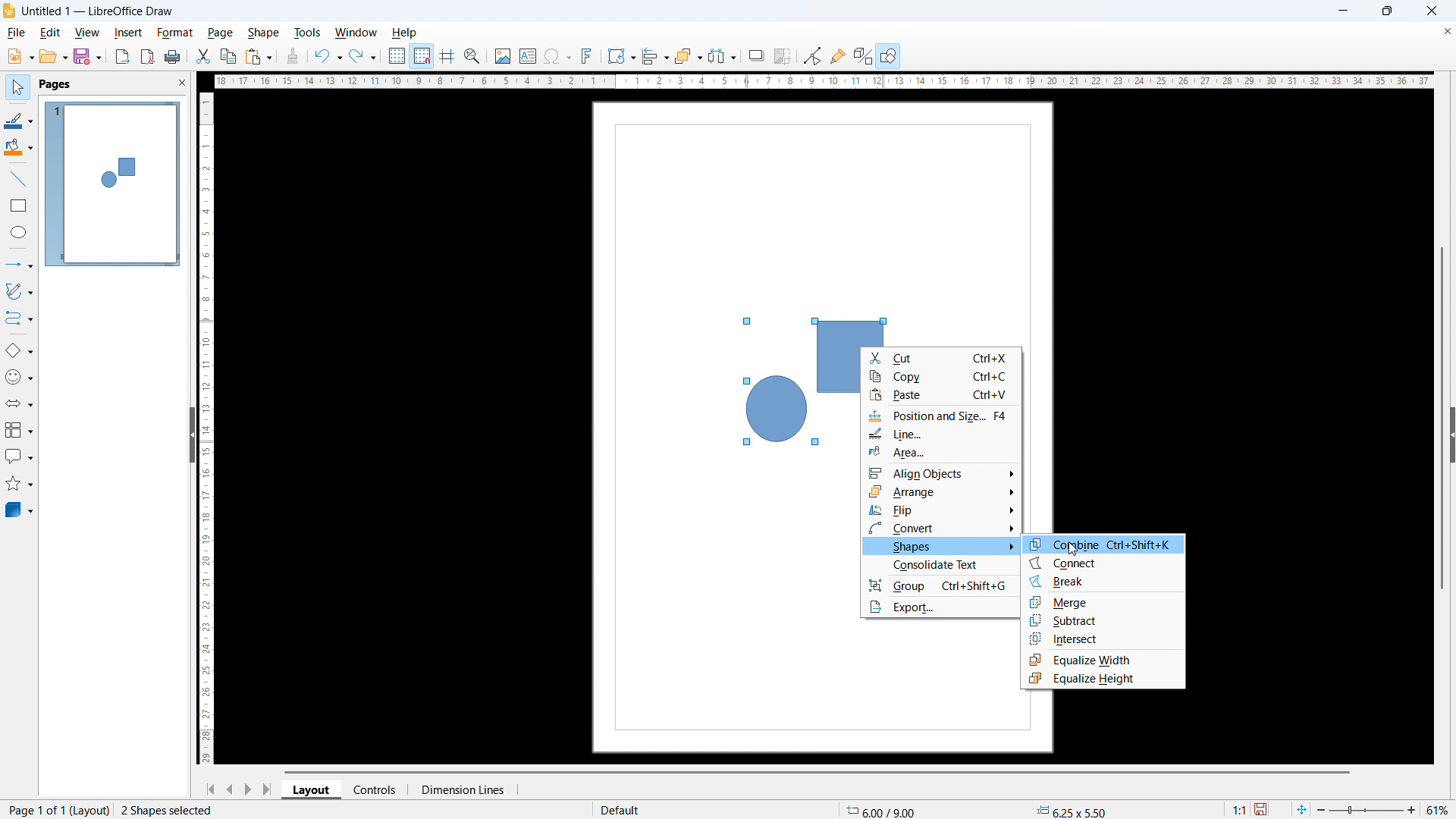  What do you see at coordinates (56, 809) in the screenshot?
I see `page 1 of 1 (layout)` at bounding box center [56, 809].